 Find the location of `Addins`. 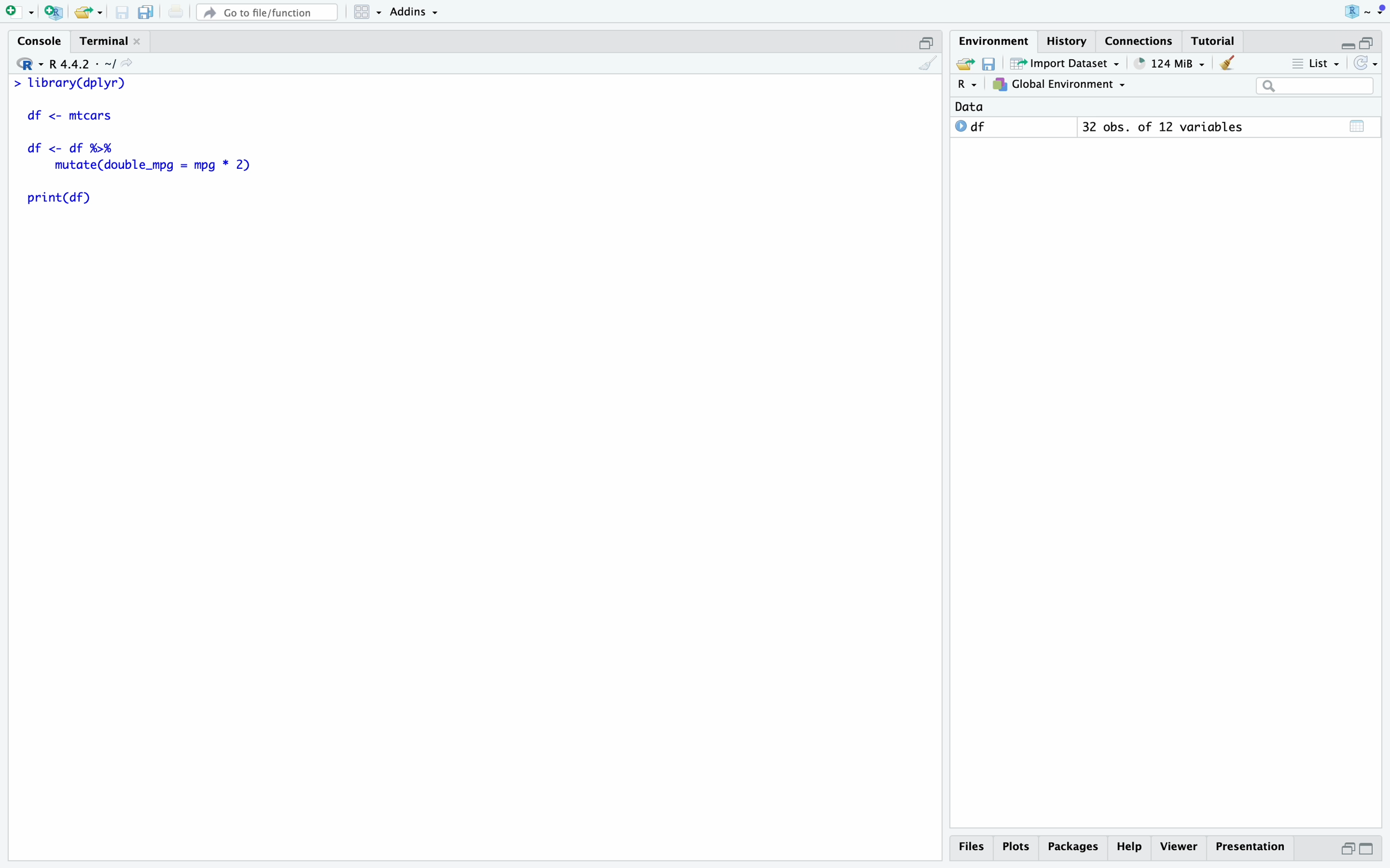

Addins is located at coordinates (414, 13).